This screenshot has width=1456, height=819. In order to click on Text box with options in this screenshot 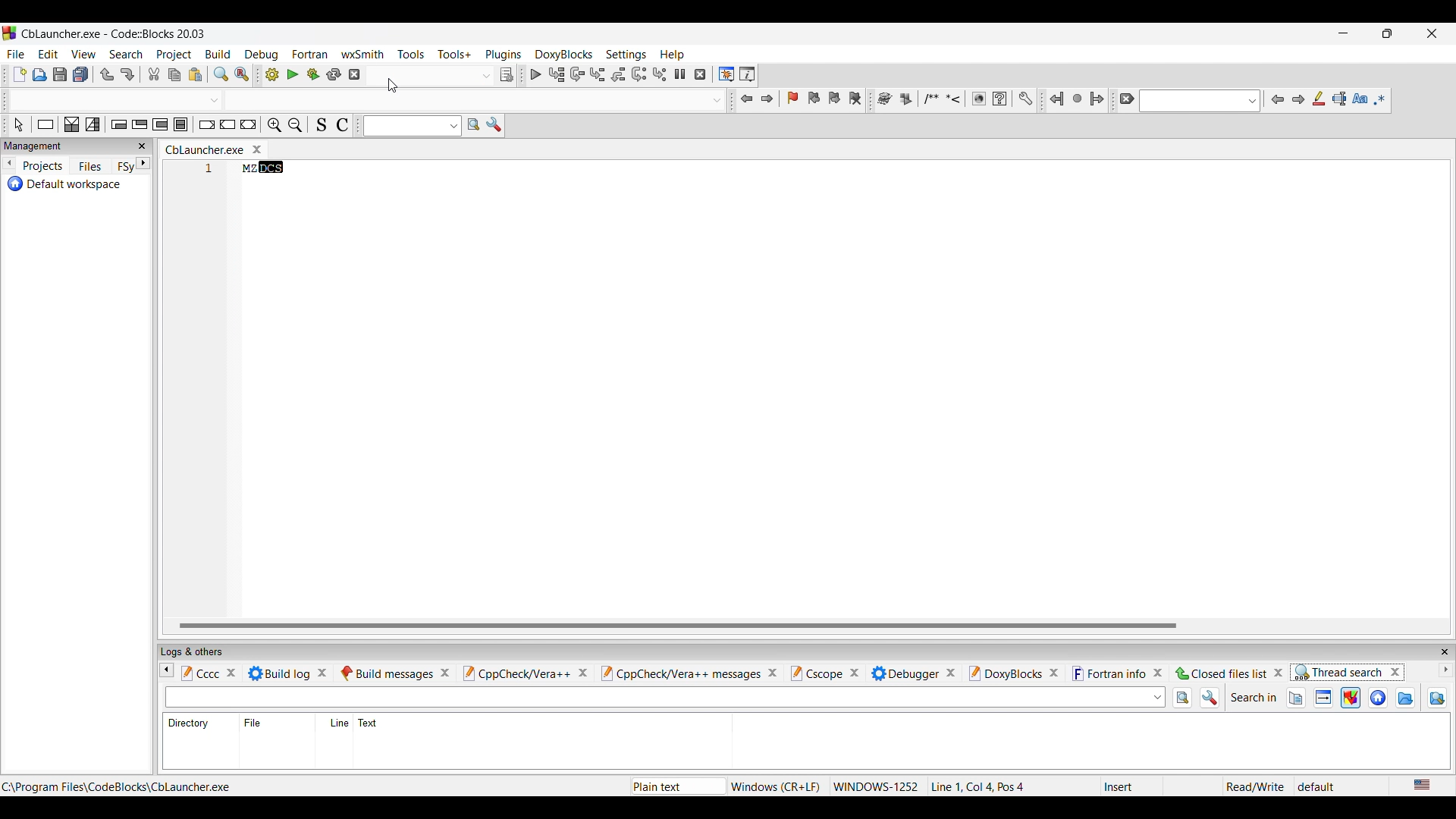, I will do `click(1199, 101)`.